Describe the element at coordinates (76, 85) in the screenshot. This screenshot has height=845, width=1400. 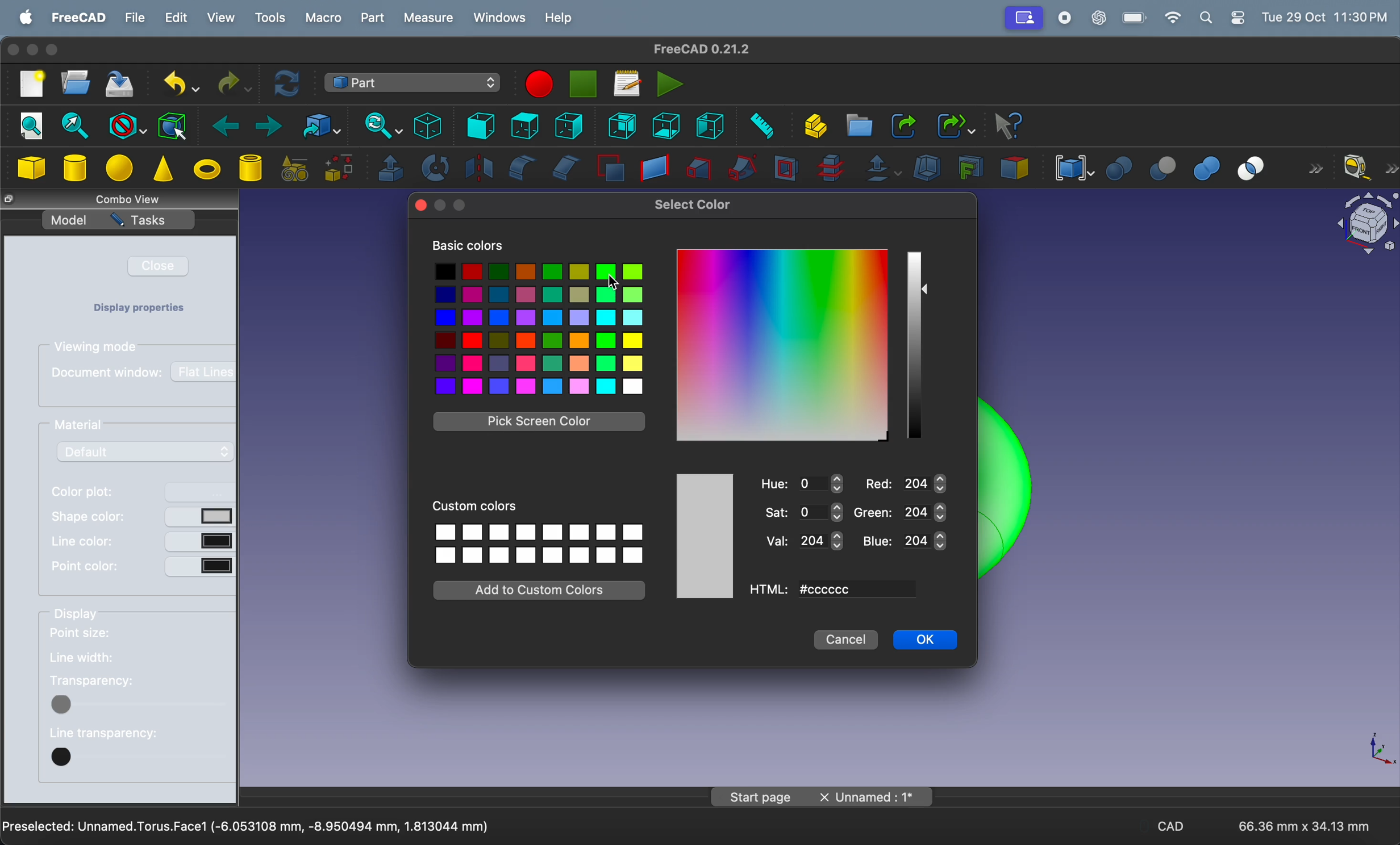
I see `open` at that location.